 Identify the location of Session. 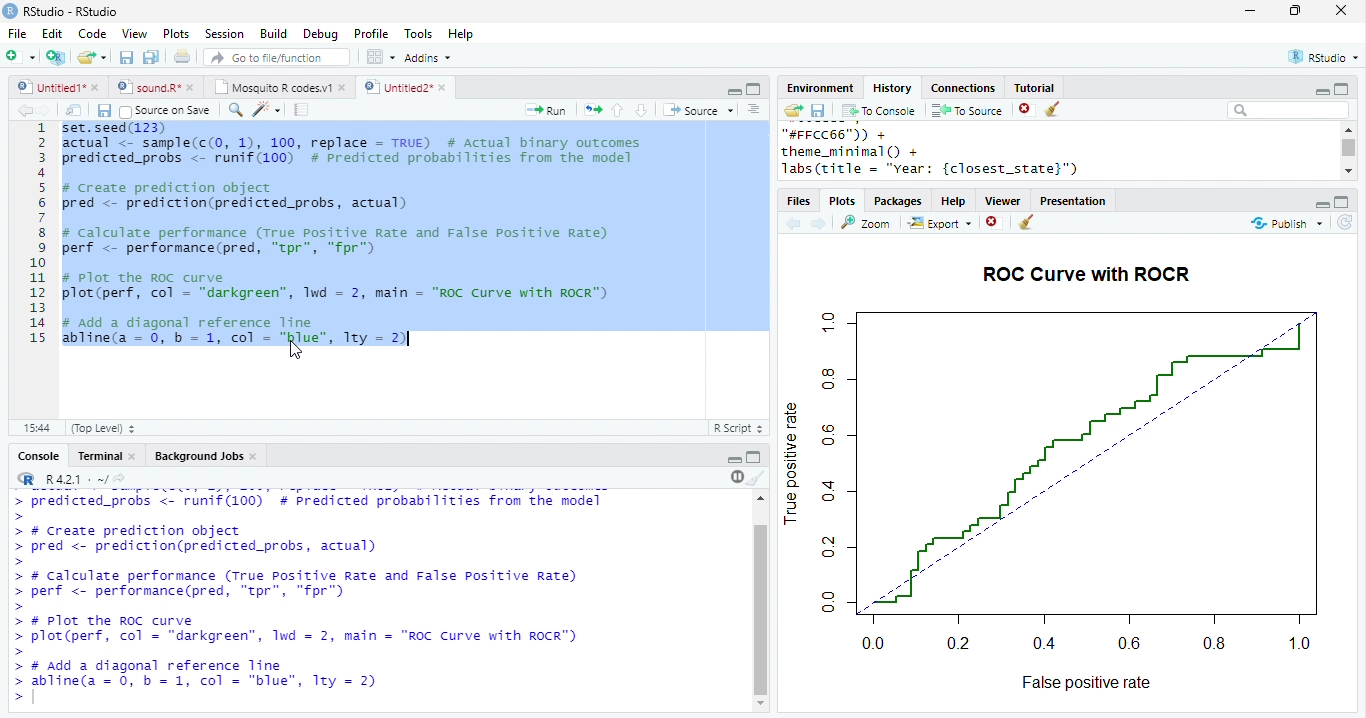
(224, 34).